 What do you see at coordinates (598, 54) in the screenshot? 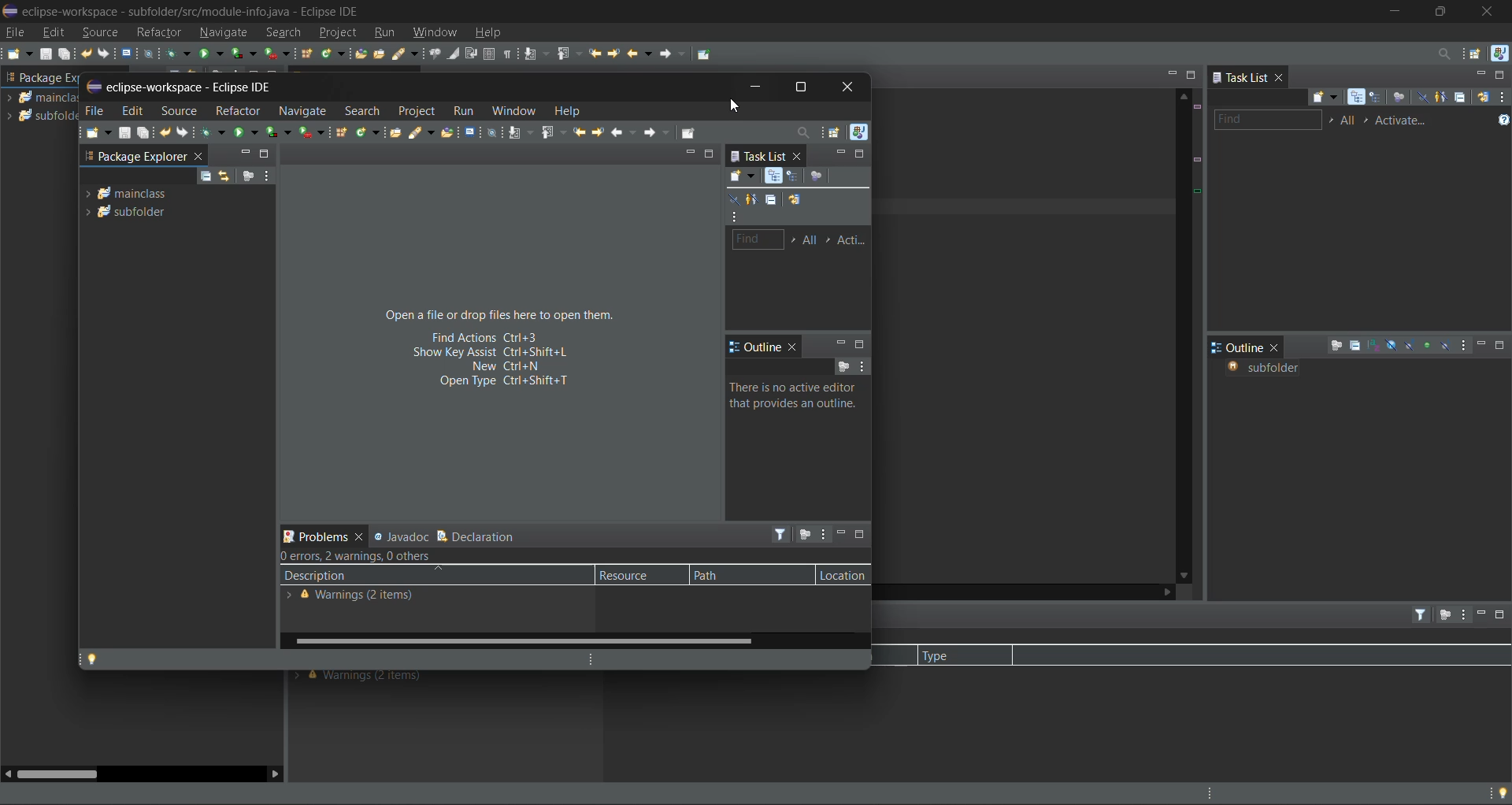
I see `previous edit location` at bounding box center [598, 54].